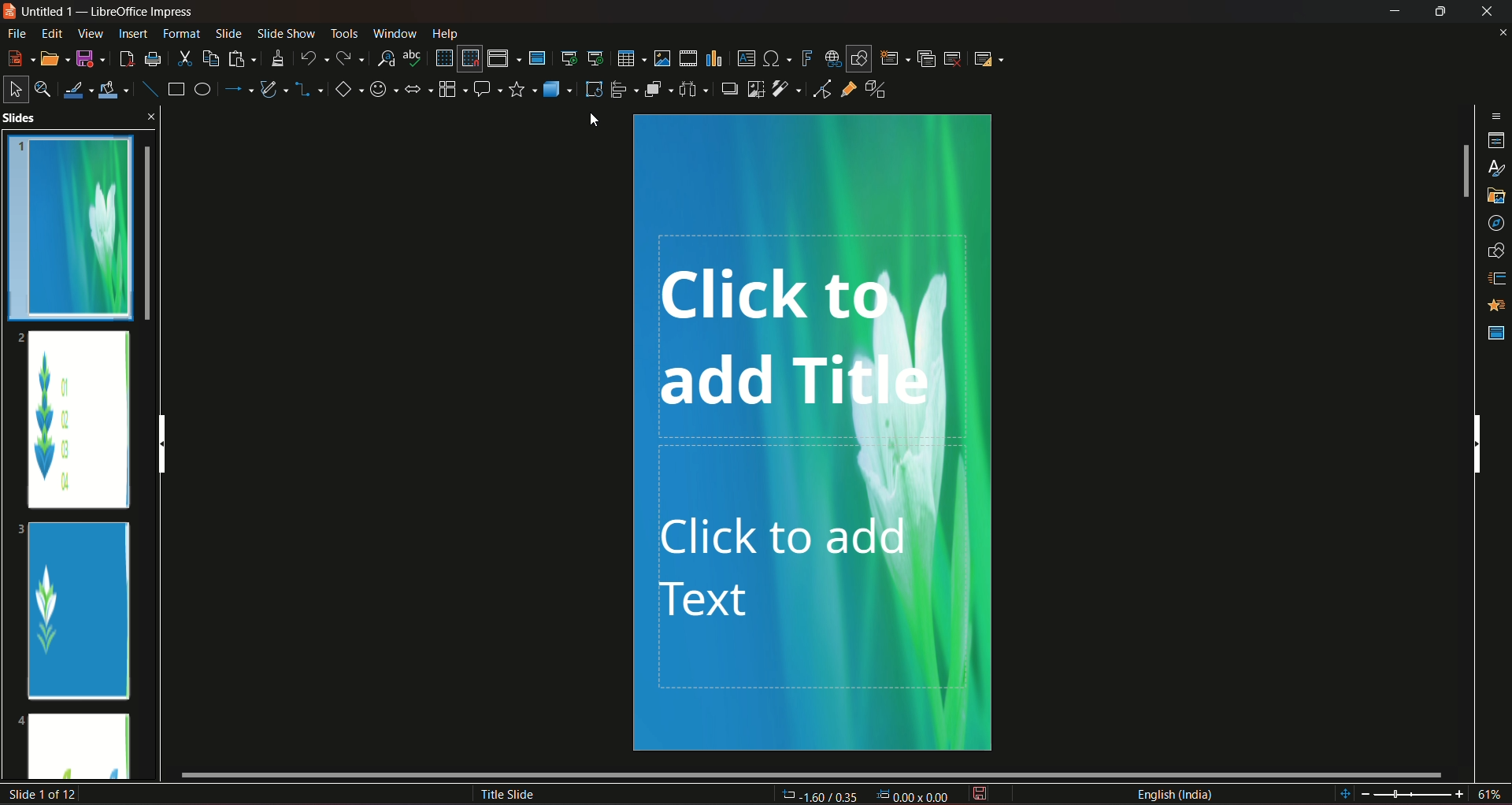 The height and width of the screenshot is (805, 1512). Describe the element at coordinates (829, 57) in the screenshot. I see `insert hyperlink` at that location.